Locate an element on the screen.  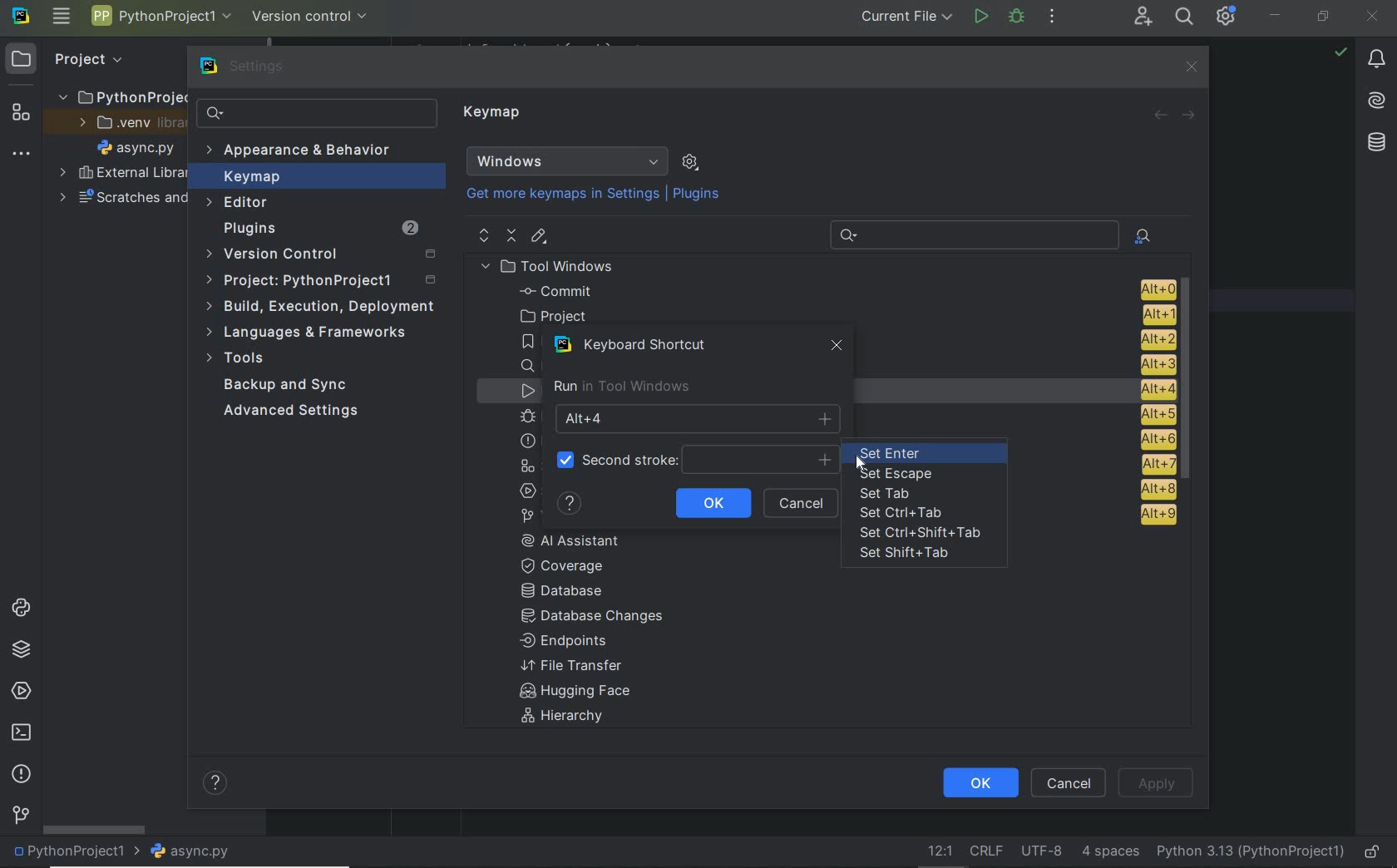
ok is located at coordinates (713, 501).